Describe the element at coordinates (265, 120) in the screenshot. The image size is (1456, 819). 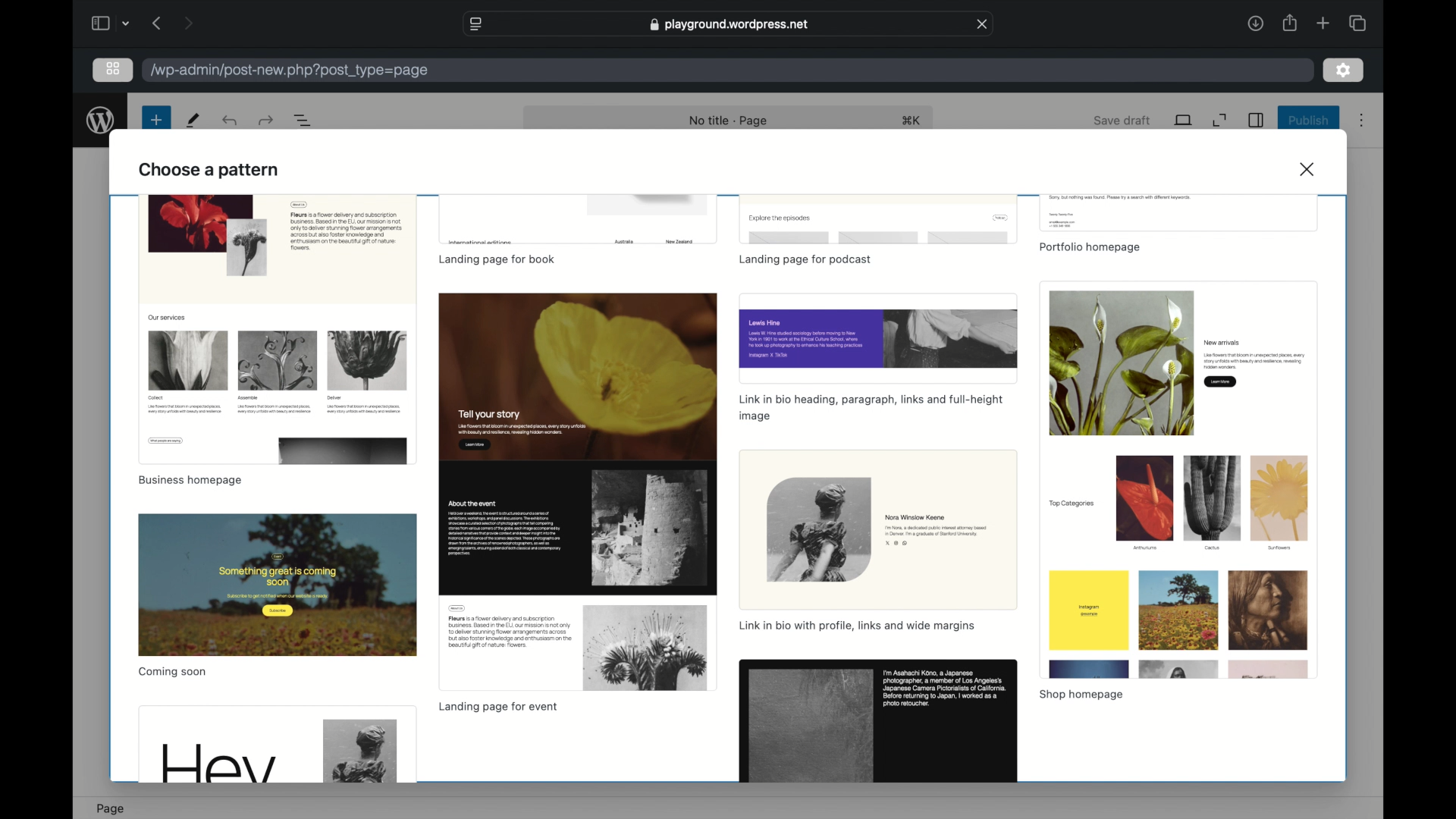
I see `undo` at that location.